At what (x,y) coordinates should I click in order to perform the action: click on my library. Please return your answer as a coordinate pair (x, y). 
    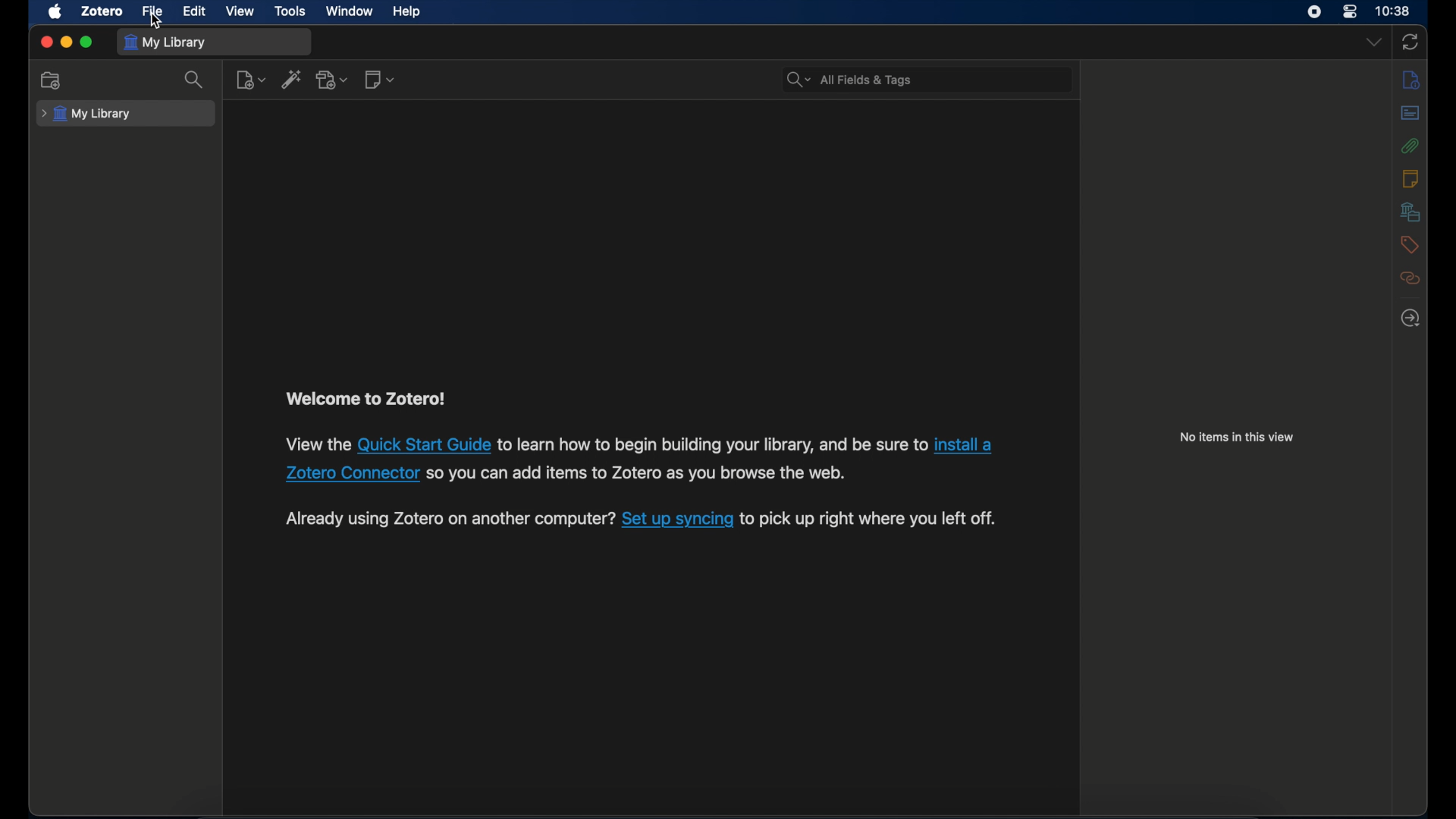
    Looking at the image, I should click on (86, 115).